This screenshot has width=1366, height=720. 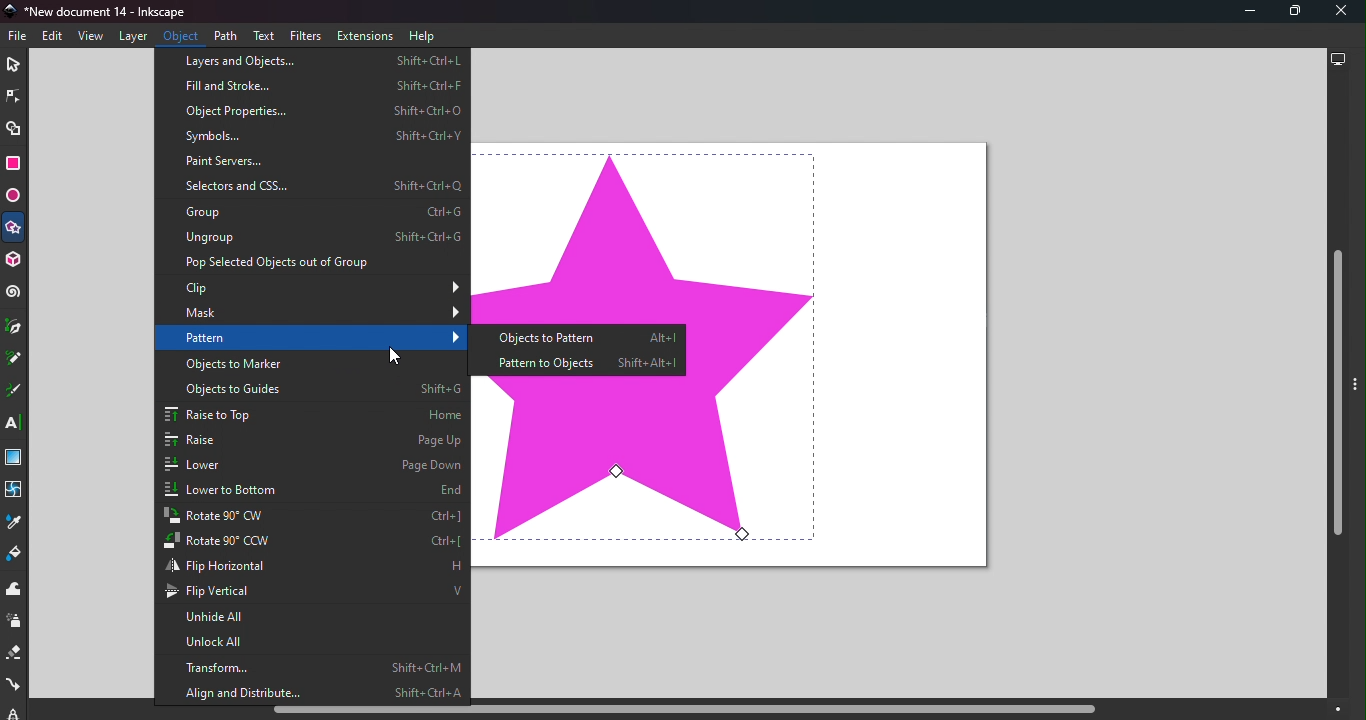 What do you see at coordinates (15, 327) in the screenshot?
I see `Pen tool` at bounding box center [15, 327].